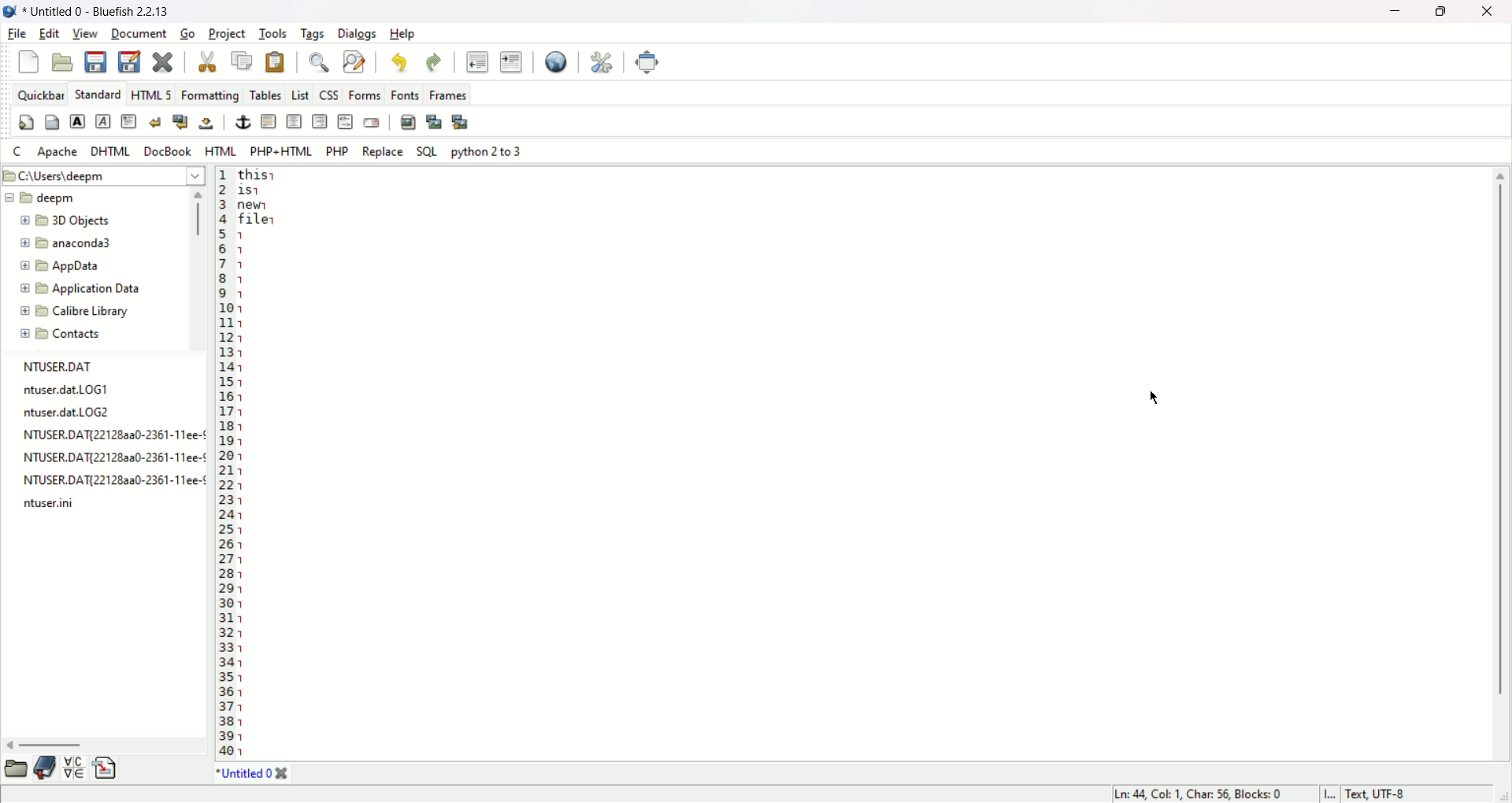 The height and width of the screenshot is (803, 1512). I want to click on project, so click(228, 35).